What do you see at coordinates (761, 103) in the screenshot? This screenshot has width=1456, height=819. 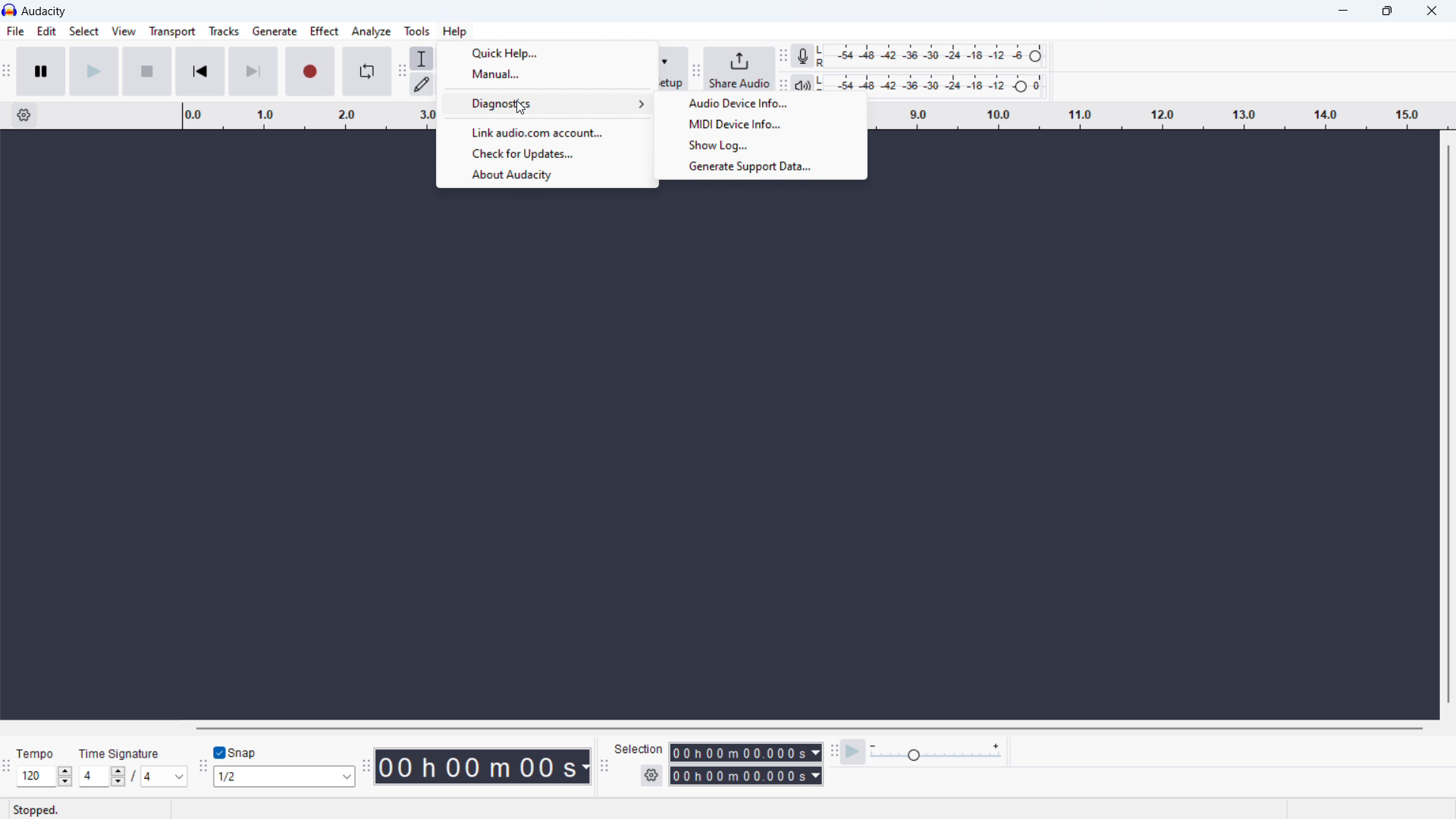 I see `audio device info` at bounding box center [761, 103].